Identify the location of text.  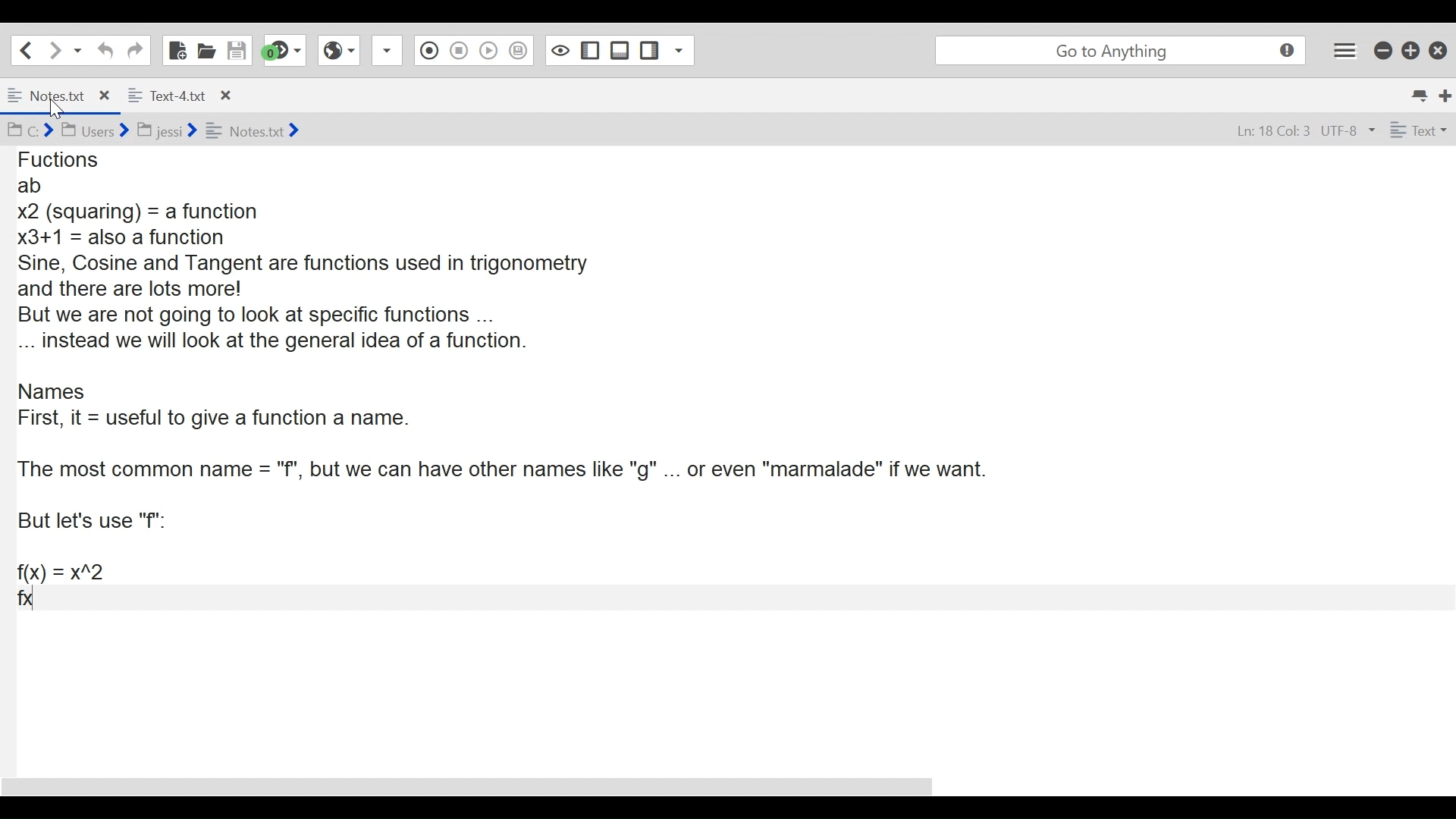
(1416, 130).